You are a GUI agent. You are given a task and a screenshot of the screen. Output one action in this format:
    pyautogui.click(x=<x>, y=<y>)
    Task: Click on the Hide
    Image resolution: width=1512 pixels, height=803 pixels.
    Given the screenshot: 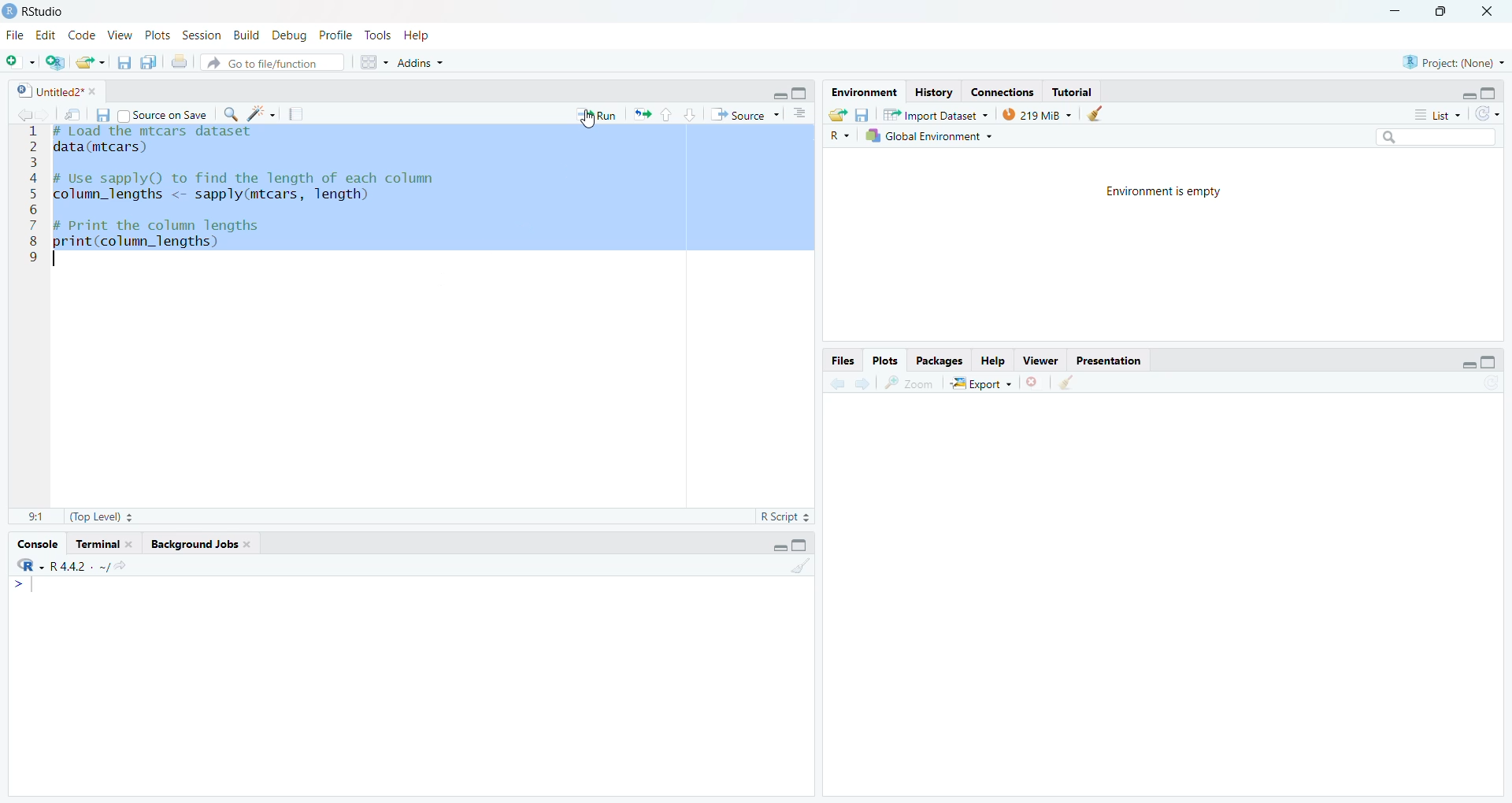 What is the action you would take?
    pyautogui.click(x=1469, y=364)
    